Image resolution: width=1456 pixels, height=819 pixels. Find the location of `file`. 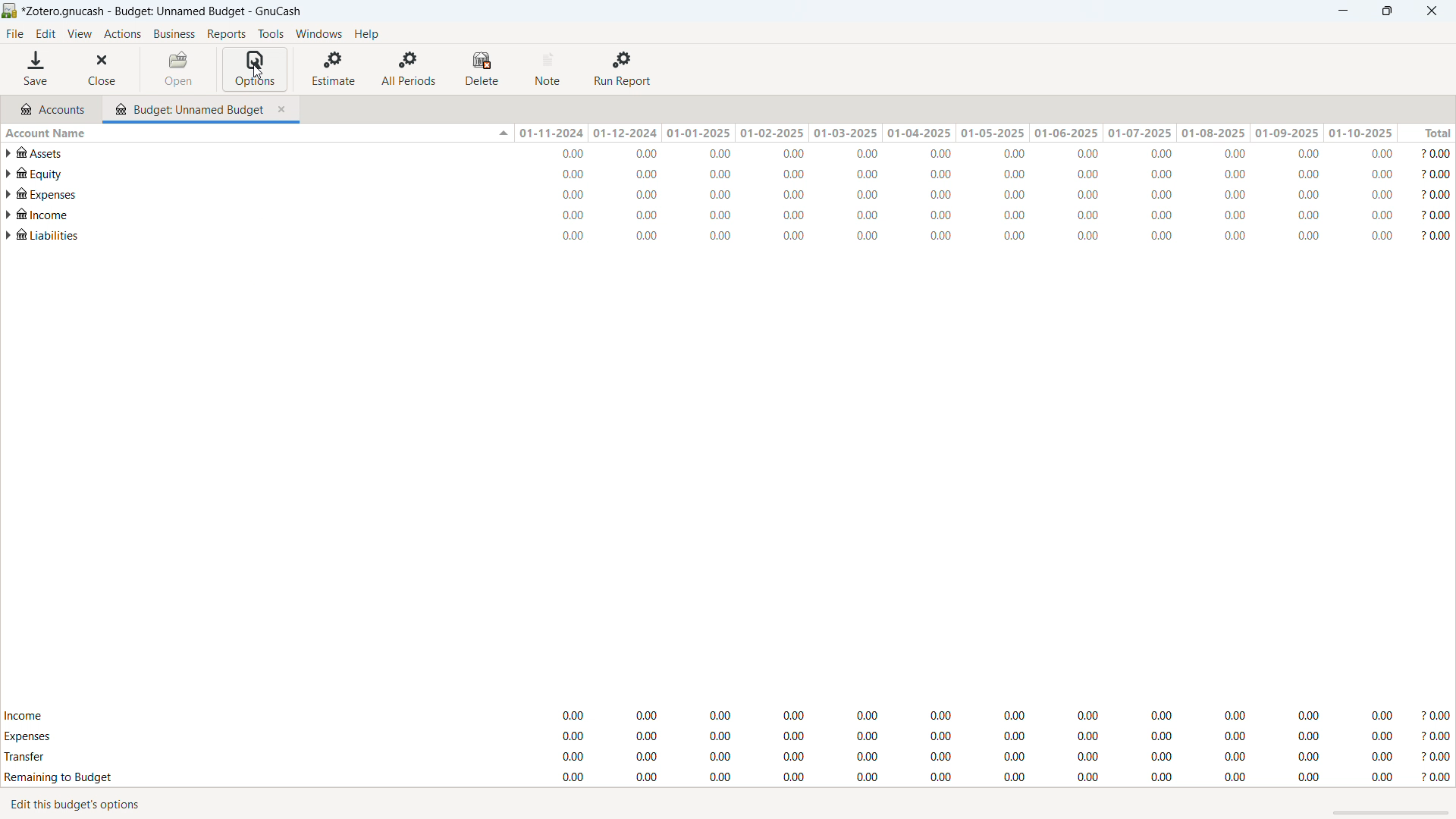

file is located at coordinates (14, 34).